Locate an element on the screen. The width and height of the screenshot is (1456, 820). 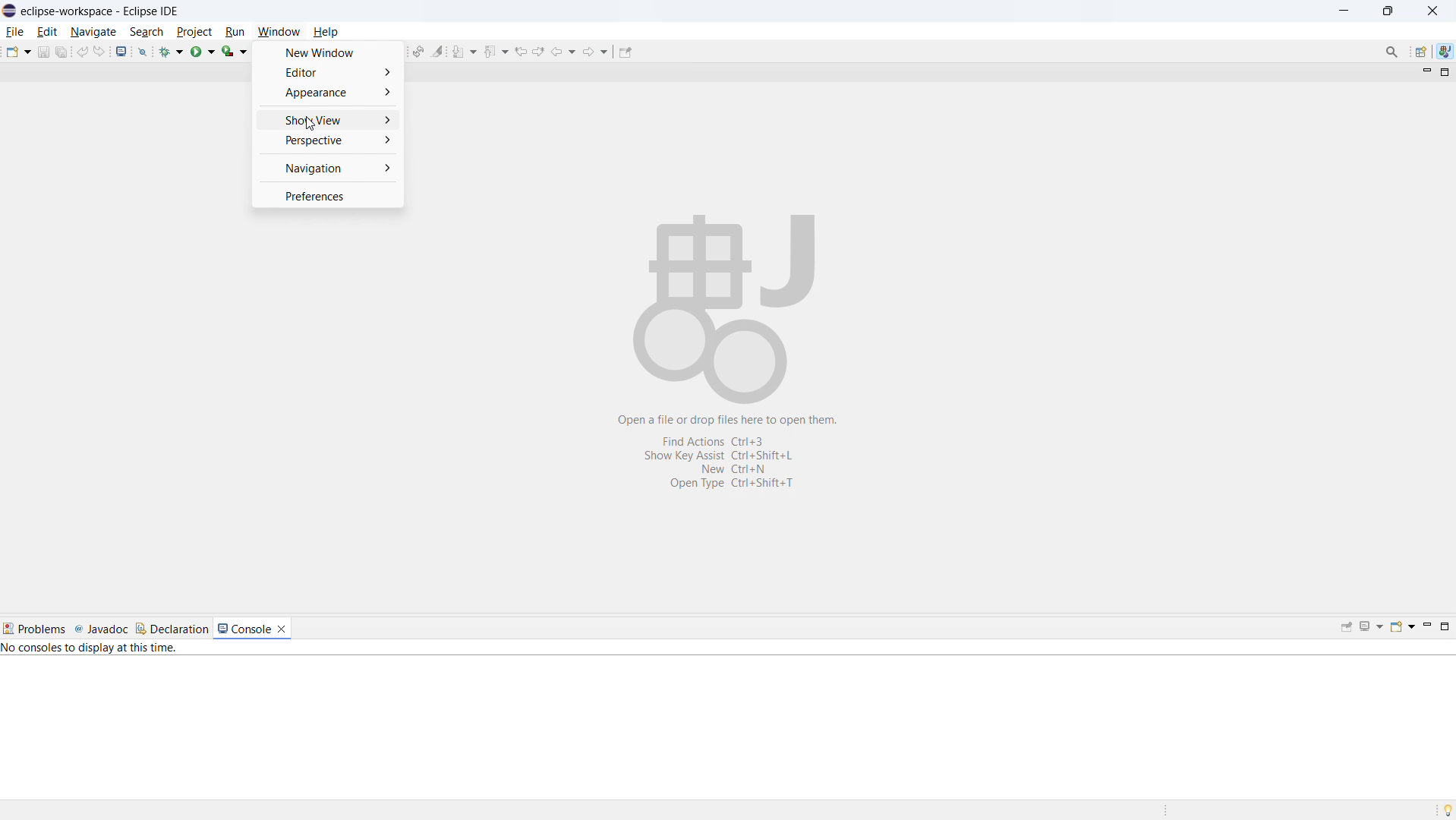
maximize is located at coordinates (1445, 628).